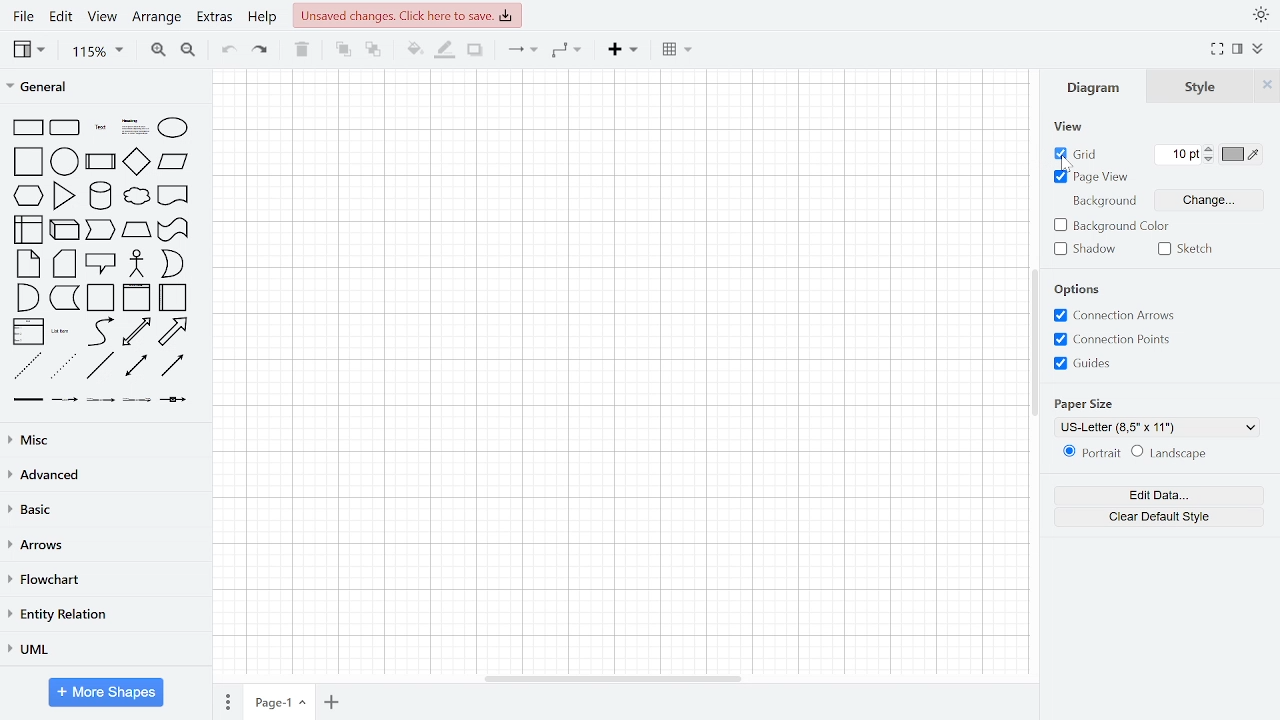  Describe the element at coordinates (1120, 339) in the screenshot. I see `connection points` at that location.